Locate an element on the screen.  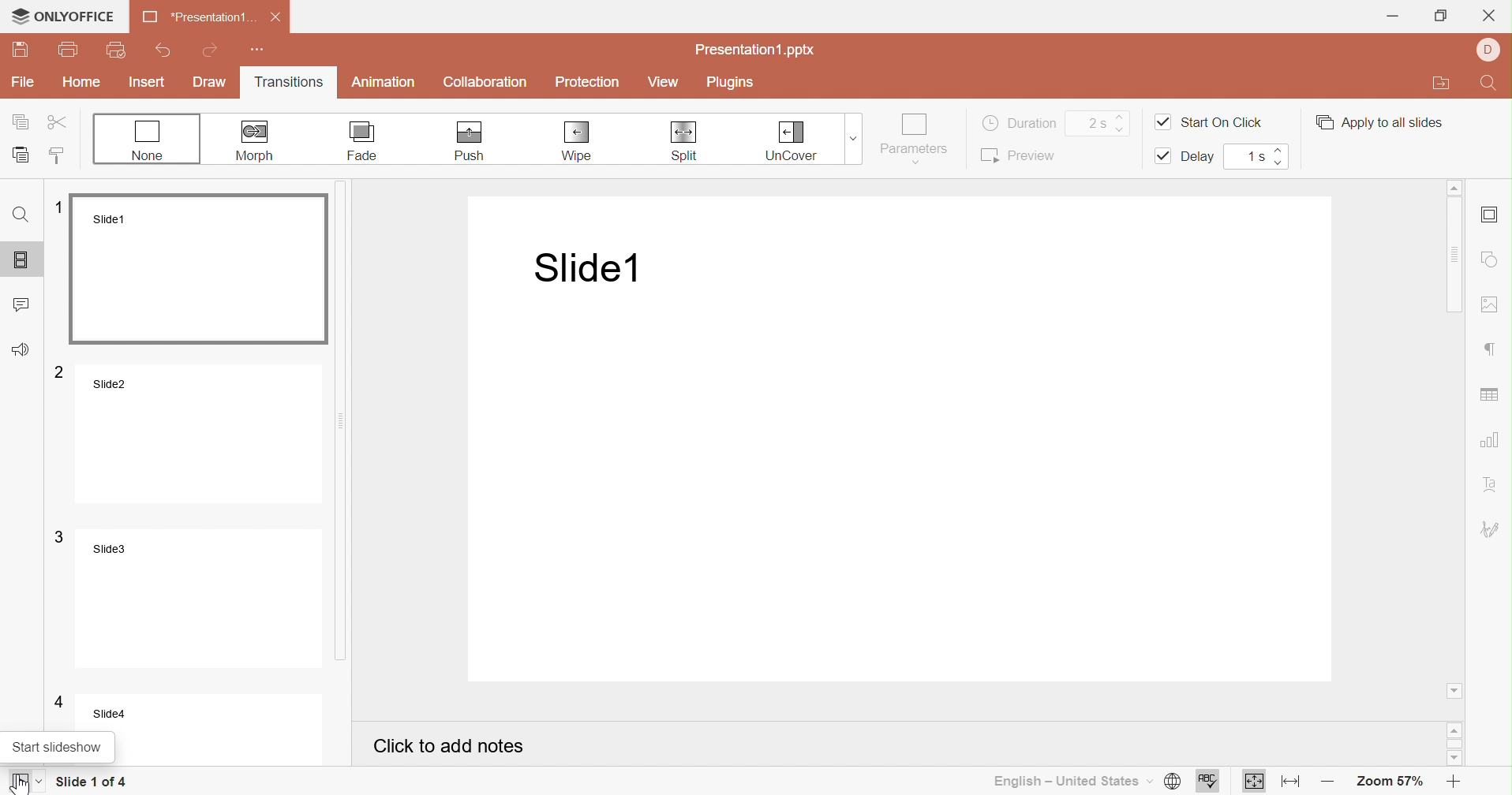
Slides is located at coordinates (20, 259).